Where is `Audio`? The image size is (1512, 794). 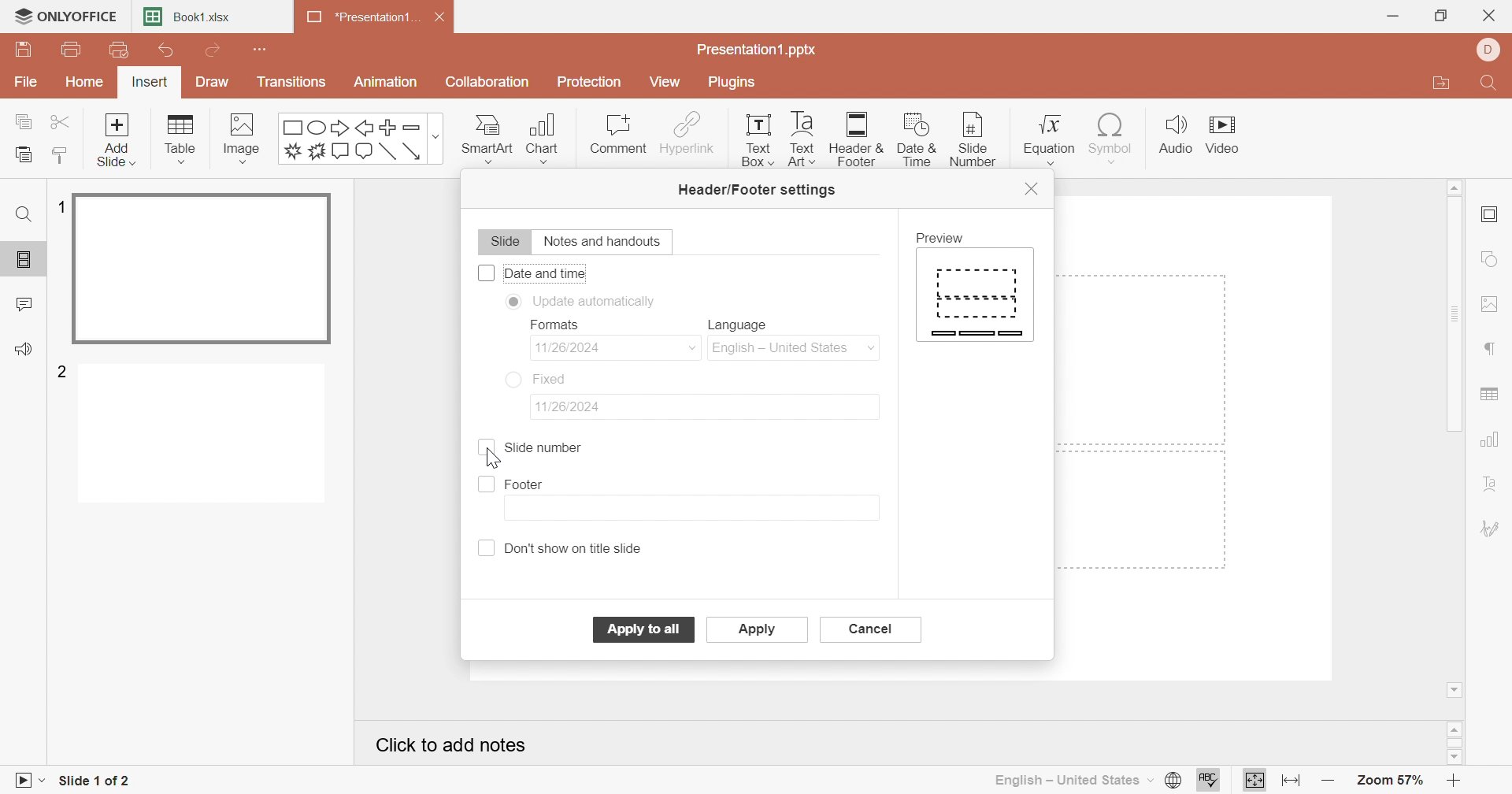
Audio is located at coordinates (1176, 135).